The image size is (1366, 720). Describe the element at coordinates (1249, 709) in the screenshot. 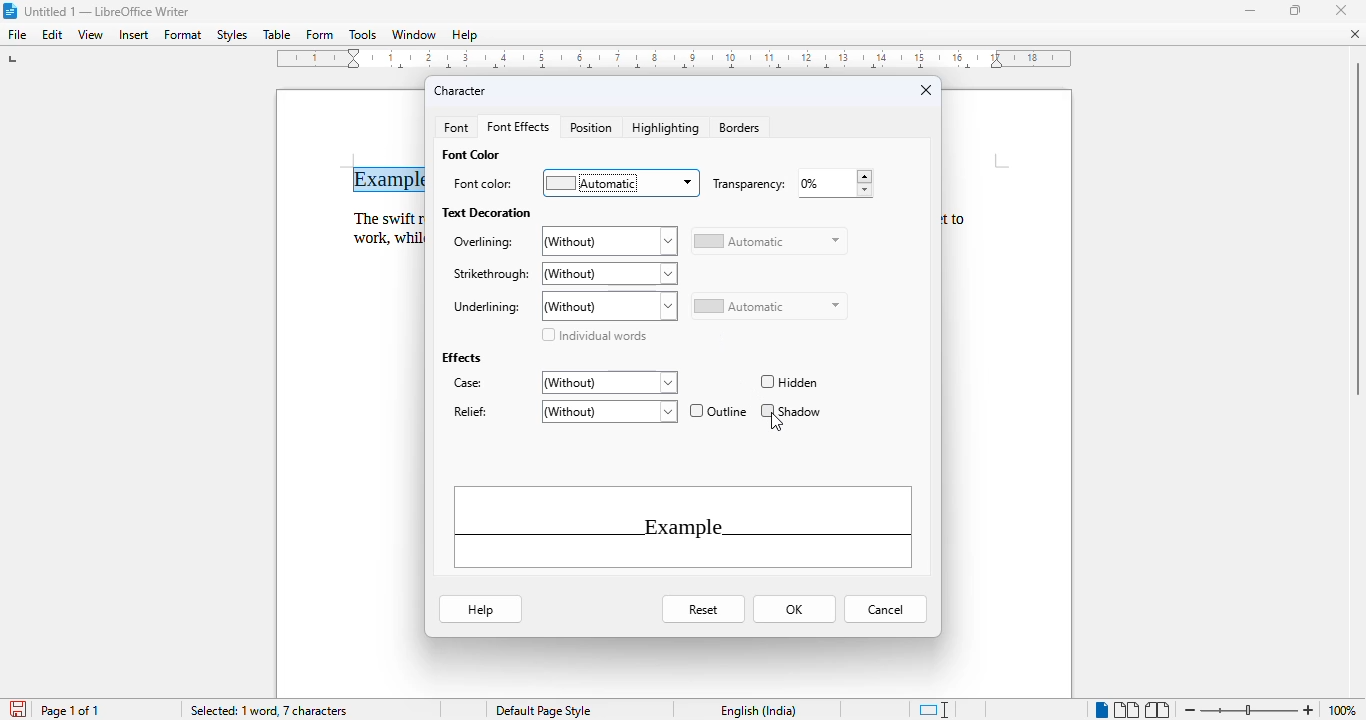

I see `Change zoom level` at that location.